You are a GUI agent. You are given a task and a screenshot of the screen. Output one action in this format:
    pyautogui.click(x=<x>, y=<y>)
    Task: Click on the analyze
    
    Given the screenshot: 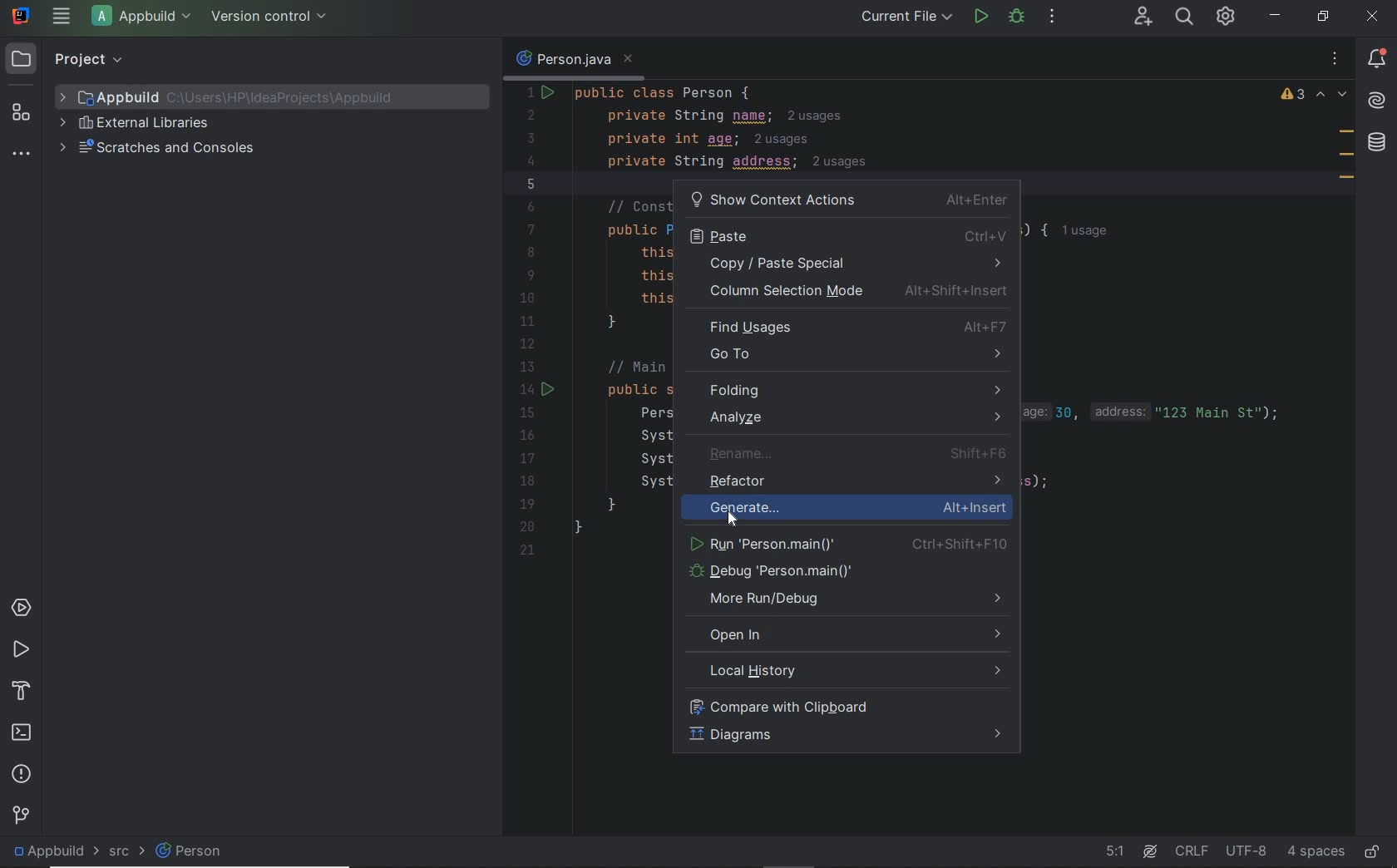 What is the action you would take?
    pyautogui.click(x=845, y=417)
    